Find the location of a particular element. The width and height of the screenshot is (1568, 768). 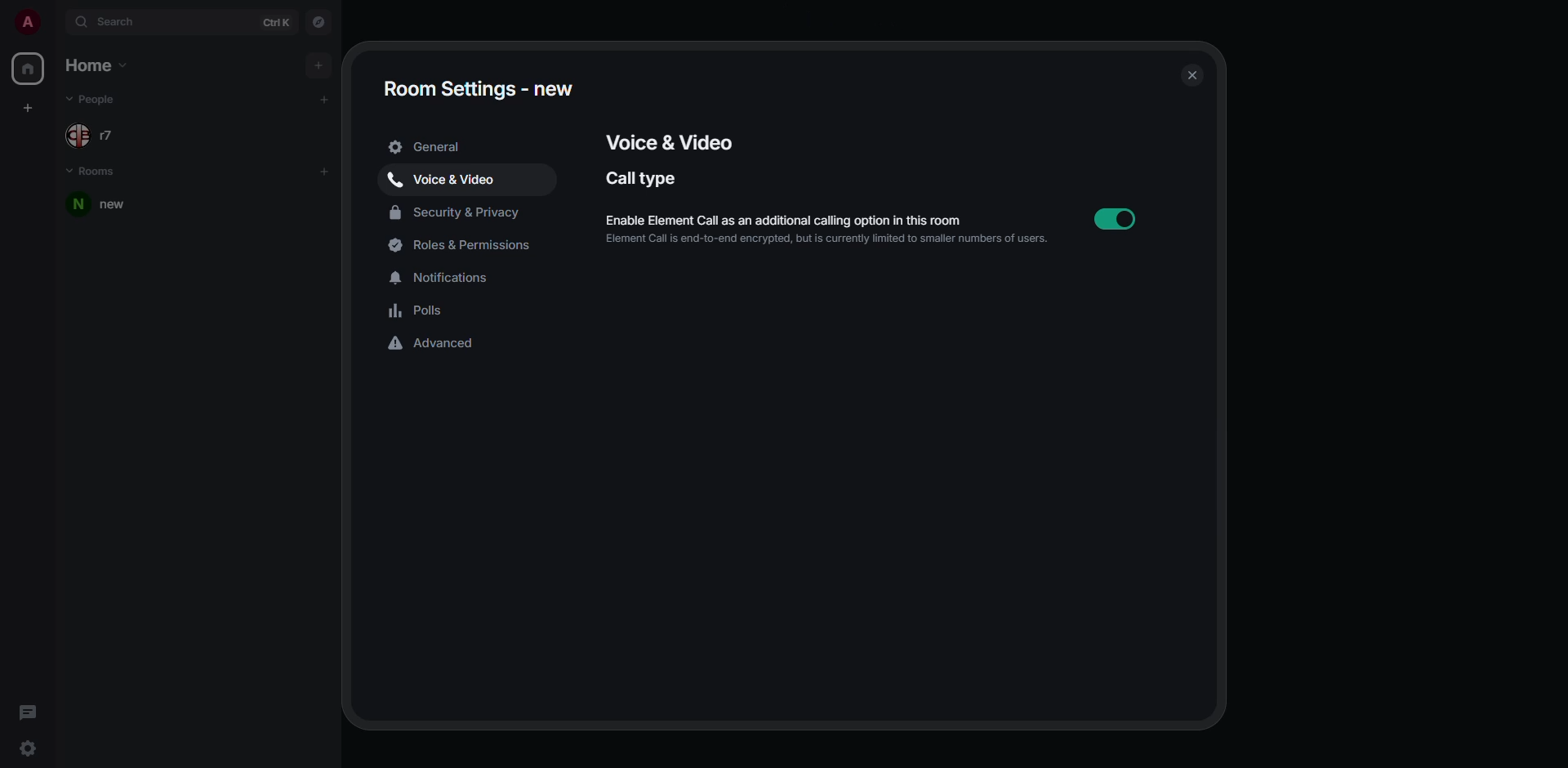

roles & permissions is located at coordinates (472, 248).